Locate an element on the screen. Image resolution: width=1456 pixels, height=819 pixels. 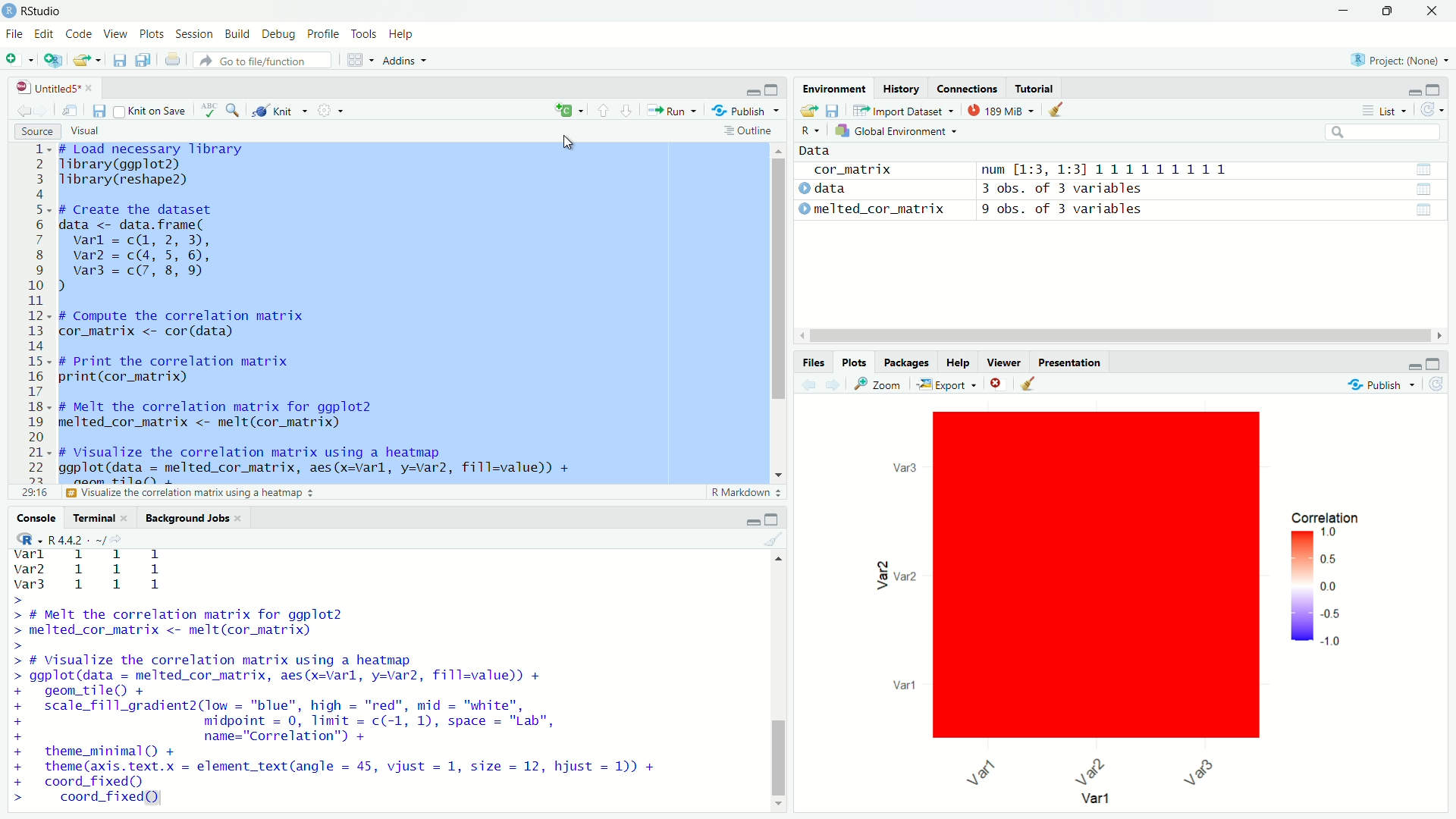
open an existing file is located at coordinates (86, 60).